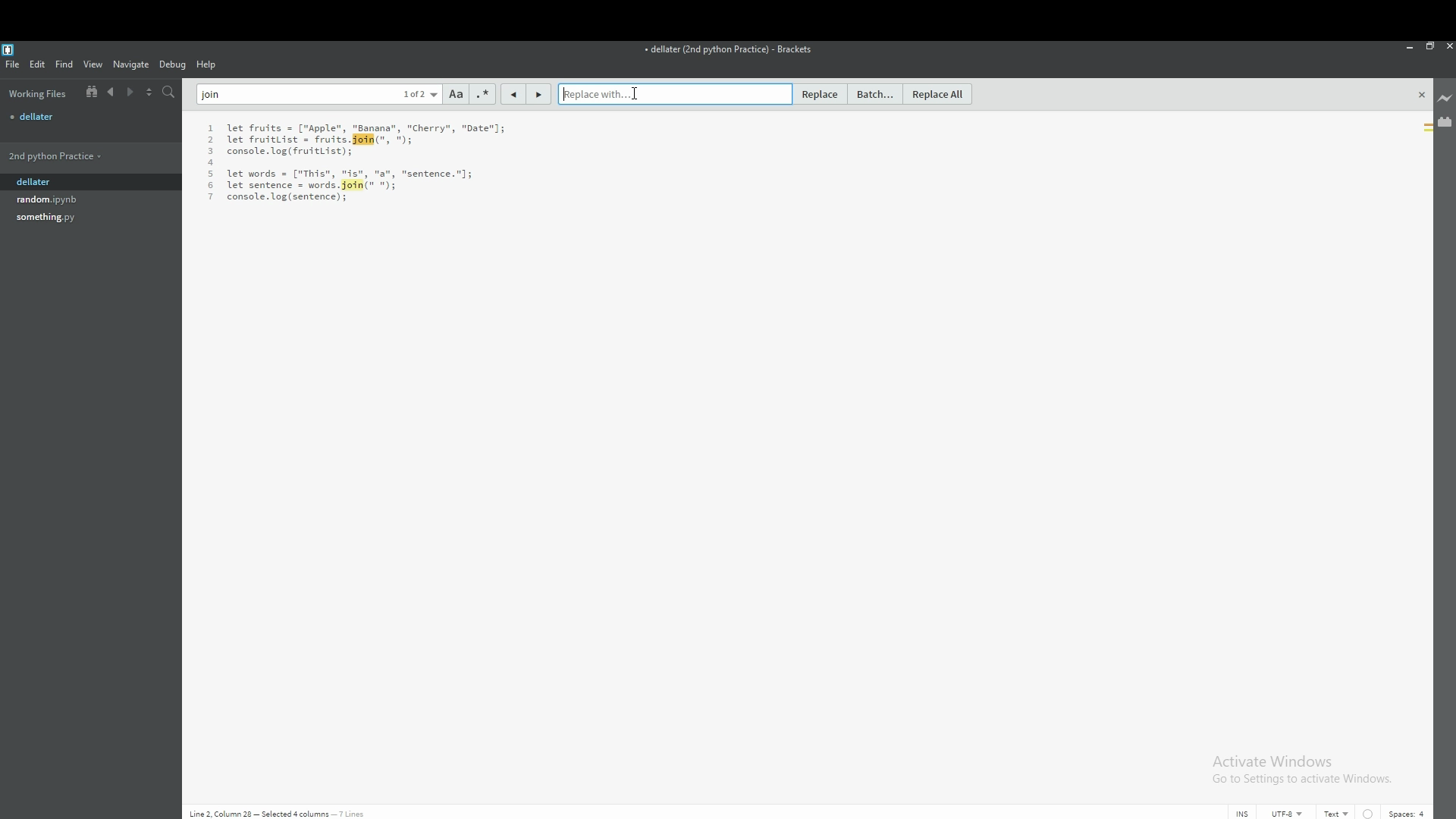 Image resolution: width=1456 pixels, height=819 pixels. What do you see at coordinates (89, 93) in the screenshot?
I see `show in file tree` at bounding box center [89, 93].